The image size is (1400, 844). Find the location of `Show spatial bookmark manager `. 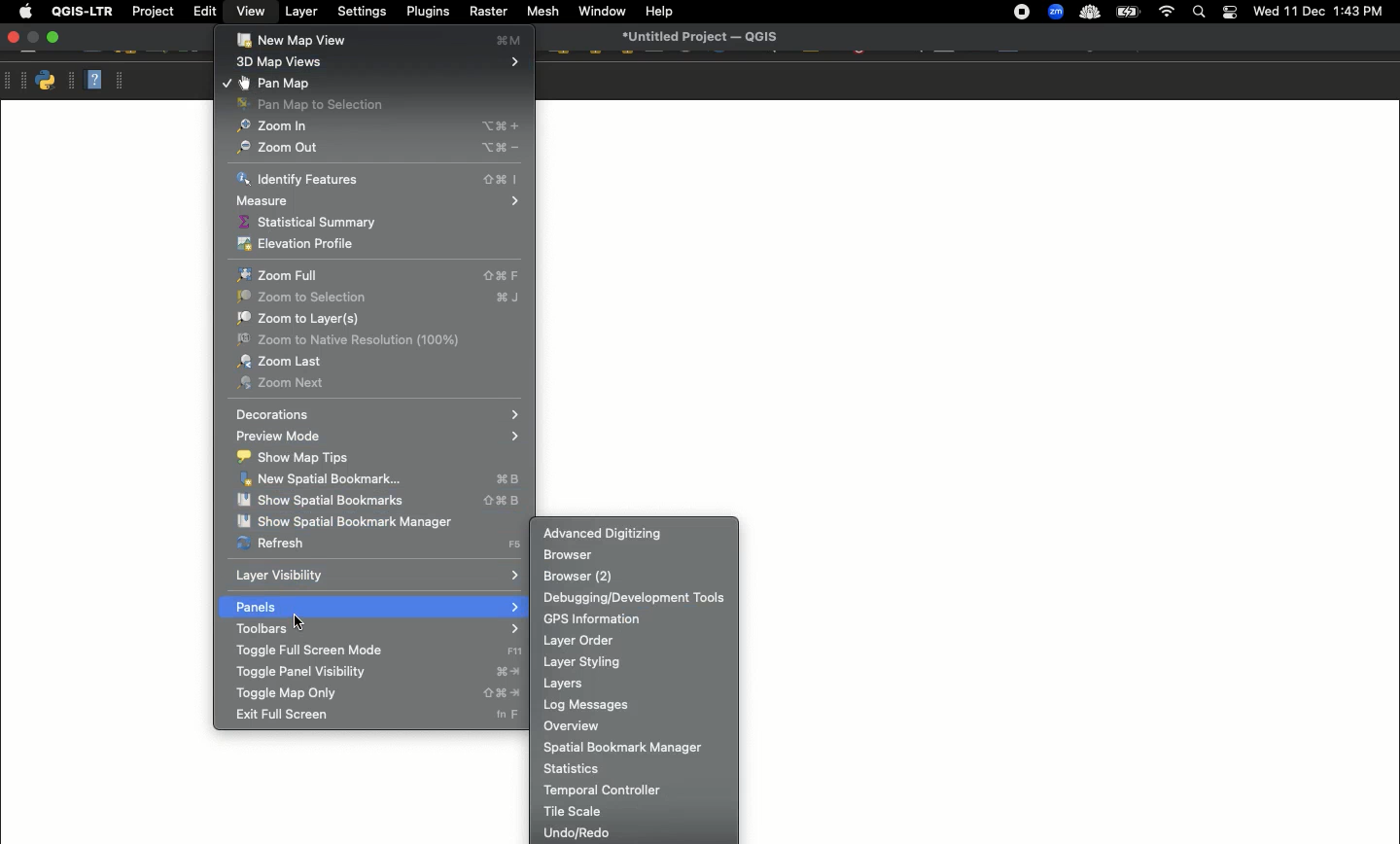

Show spatial bookmark manager  is located at coordinates (376, 521).